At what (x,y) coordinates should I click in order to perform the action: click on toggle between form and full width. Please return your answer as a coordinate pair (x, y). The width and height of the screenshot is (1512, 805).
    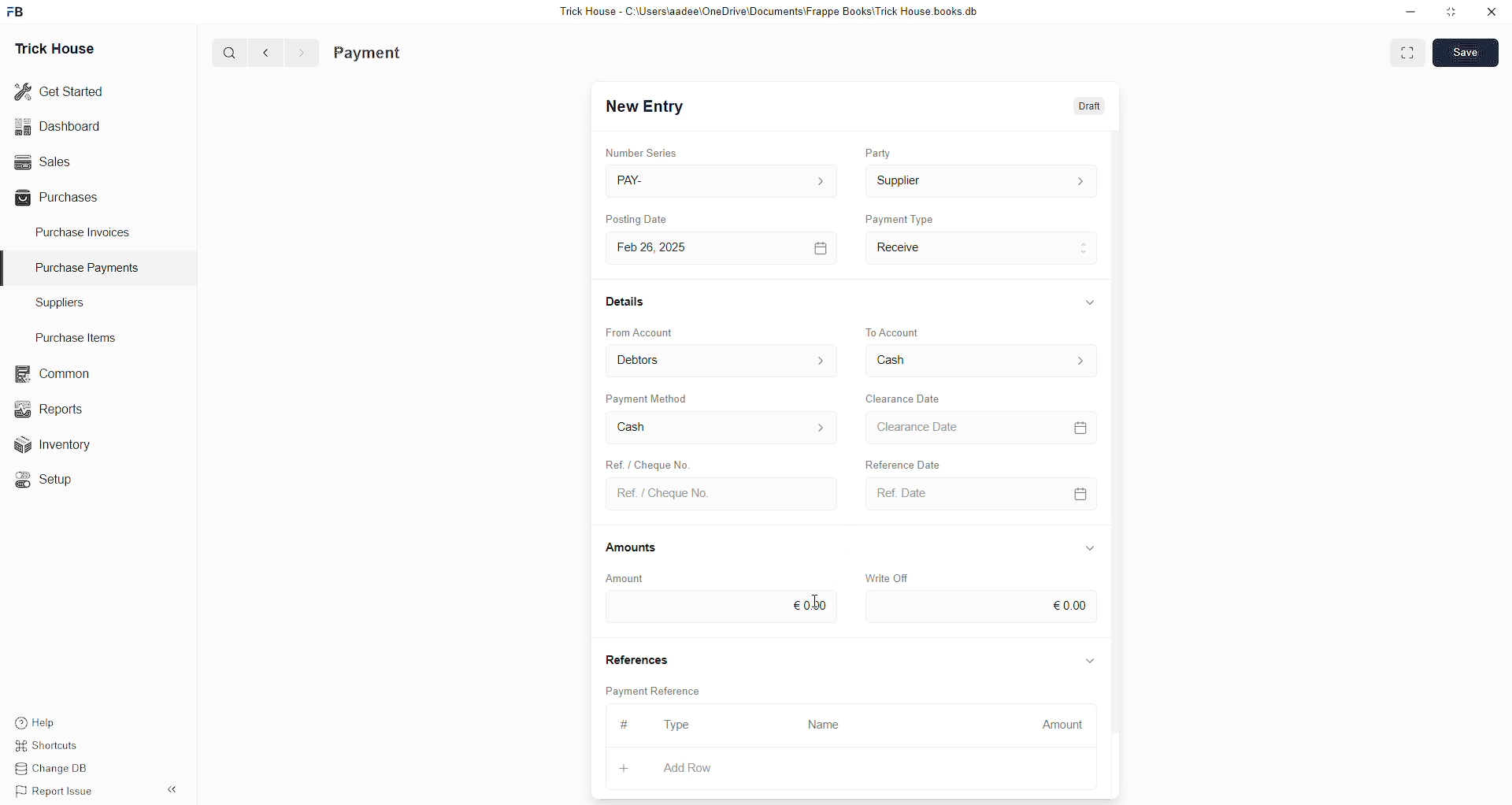
    Looking at the image, I should click on (1409, 54).